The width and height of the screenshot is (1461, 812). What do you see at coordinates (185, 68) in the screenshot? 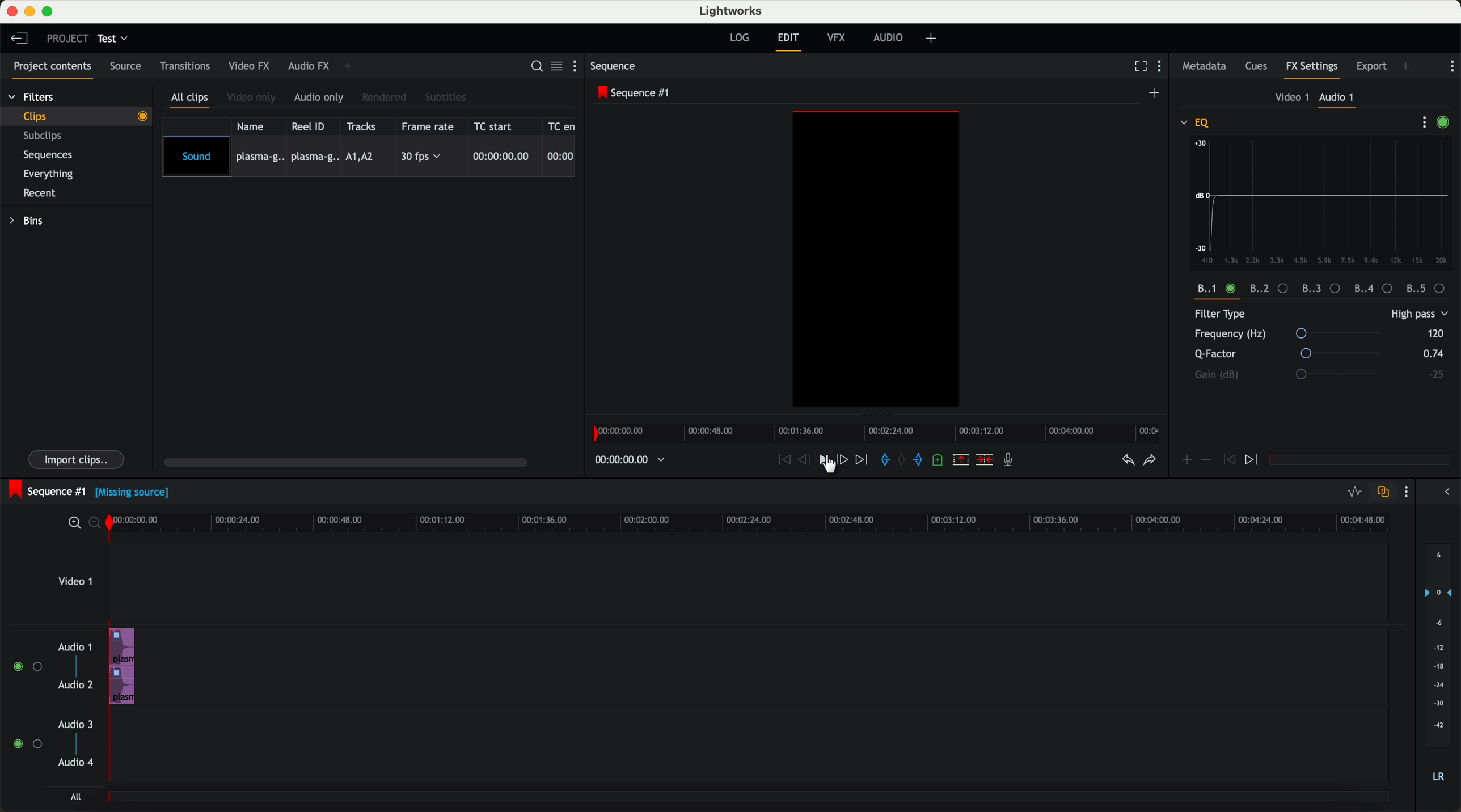
I see `transitions` at bounding box center [185, 68].